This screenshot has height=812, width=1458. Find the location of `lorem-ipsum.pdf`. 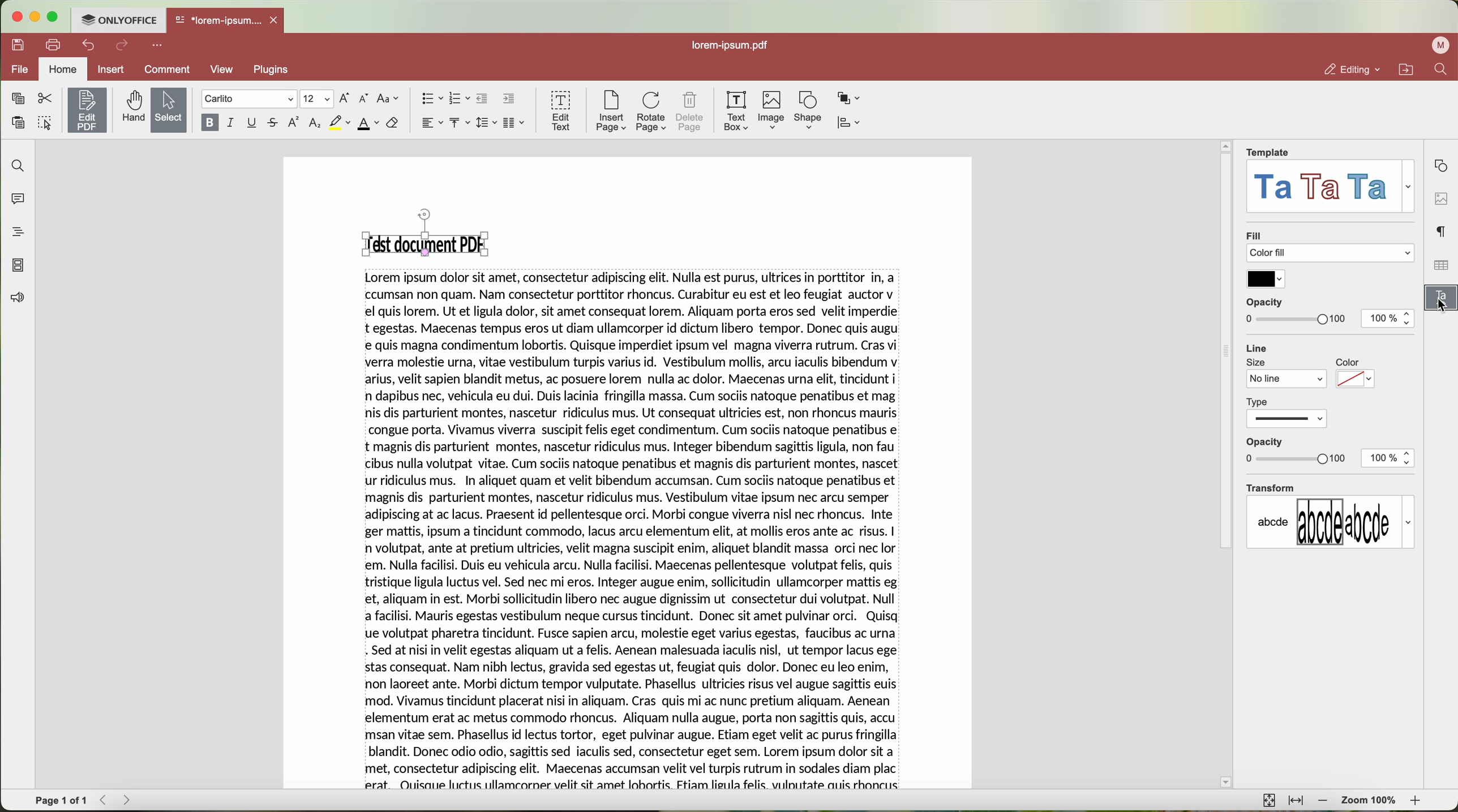

lorem-ipsum.pdf is located at coordinates (728, 46).